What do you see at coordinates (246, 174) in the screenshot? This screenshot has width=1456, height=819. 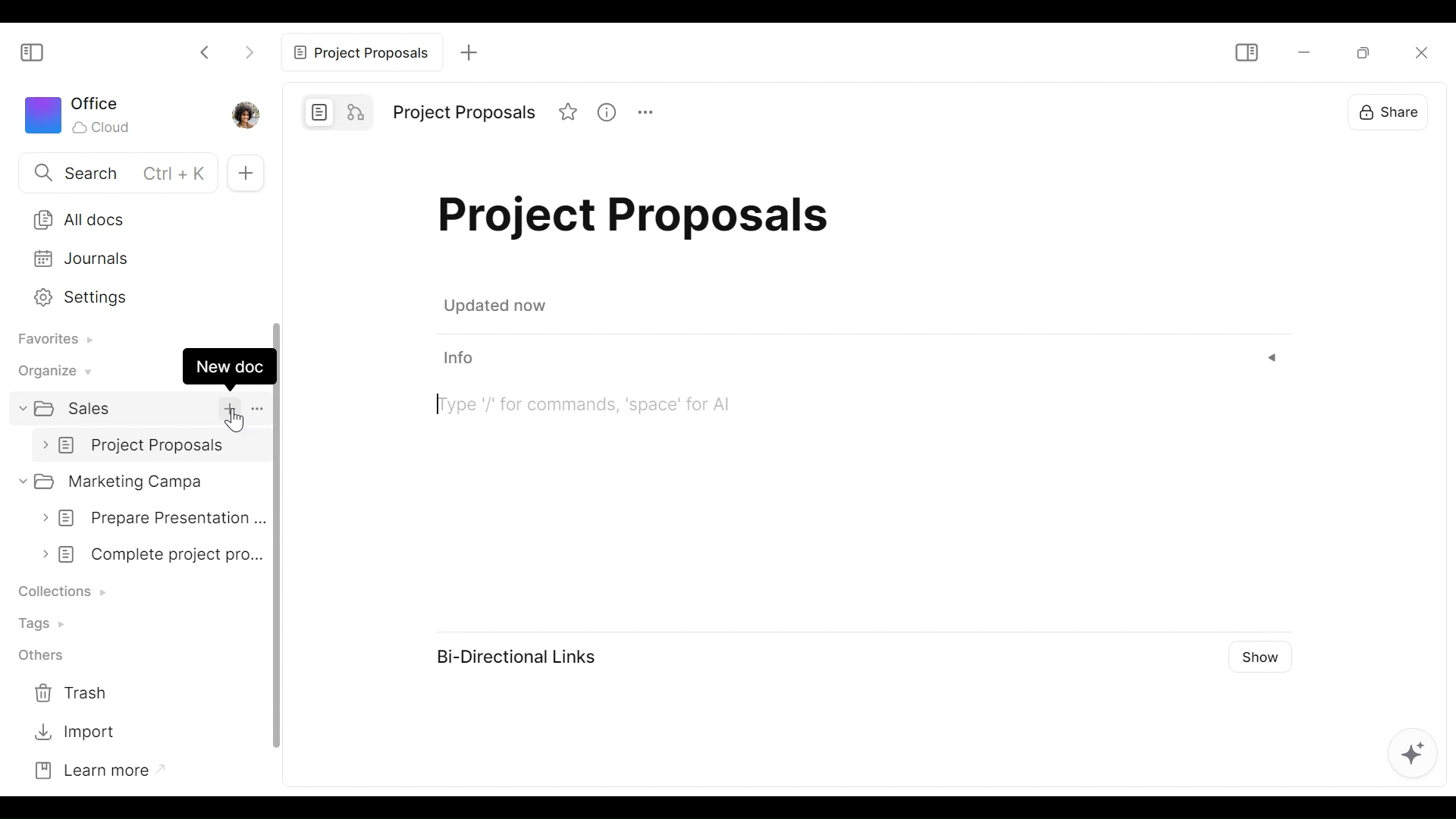 I see `New Tab` at bounding box center [246, 174].